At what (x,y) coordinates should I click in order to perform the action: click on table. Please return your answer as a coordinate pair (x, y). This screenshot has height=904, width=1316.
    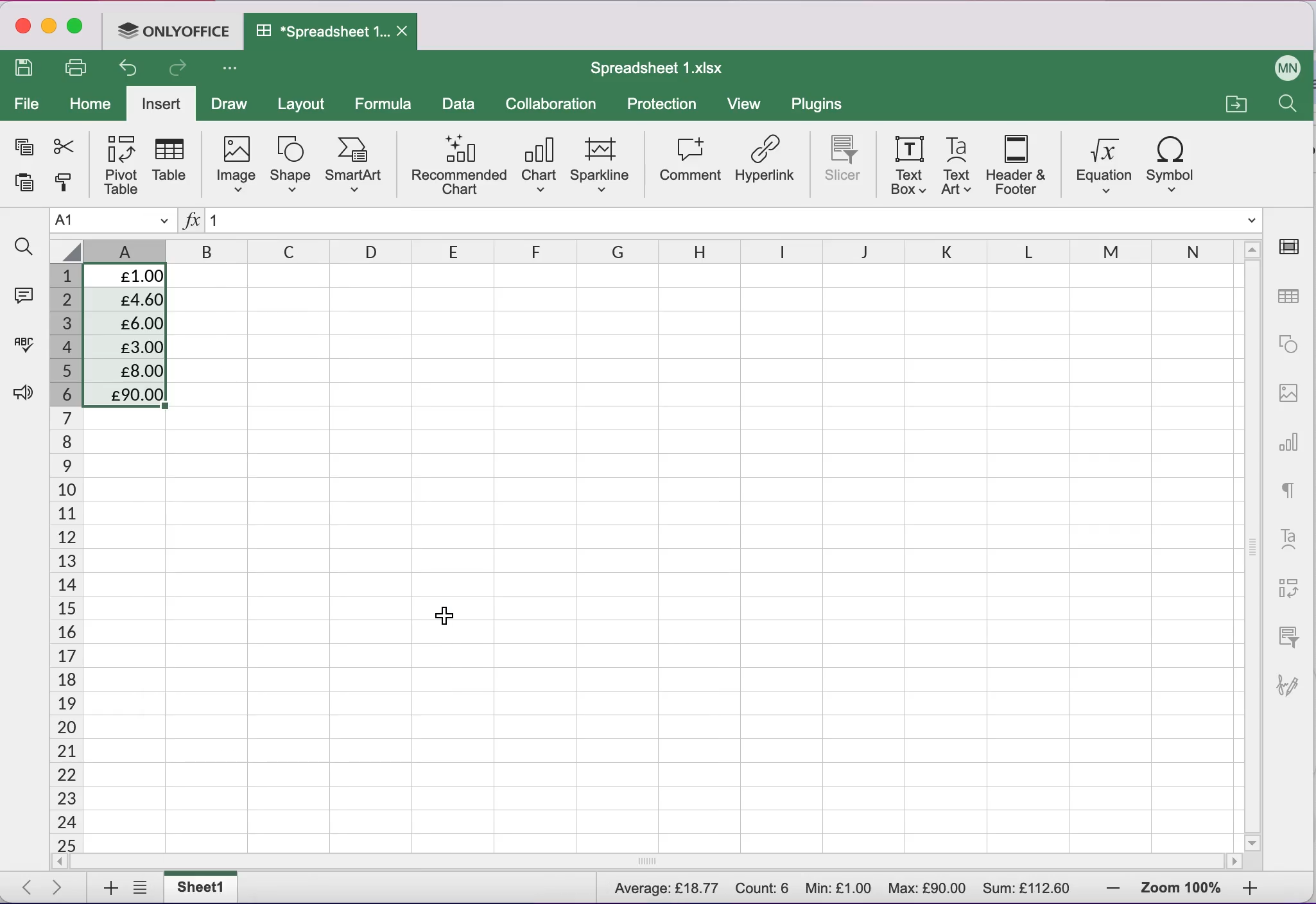
    Looking at the image, I should click on (1287, 297).